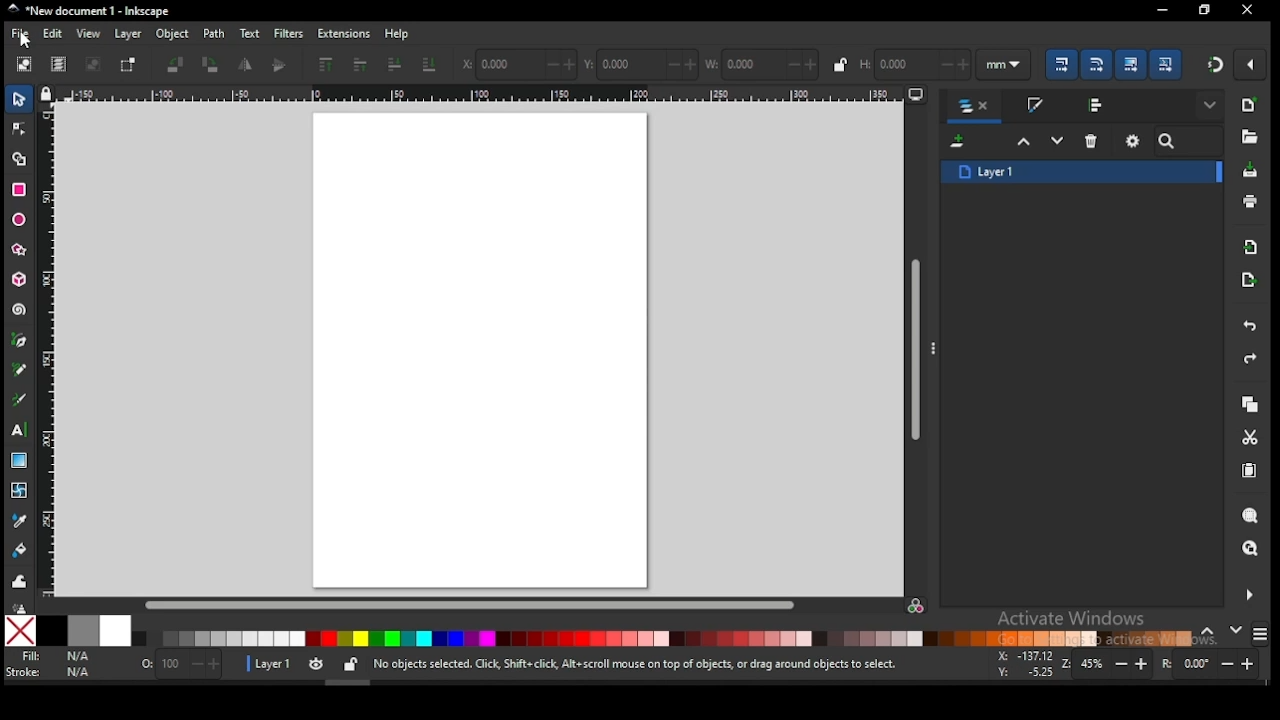 The image size is (1280, 720). I want to click on color modes, so click(1260, 634).